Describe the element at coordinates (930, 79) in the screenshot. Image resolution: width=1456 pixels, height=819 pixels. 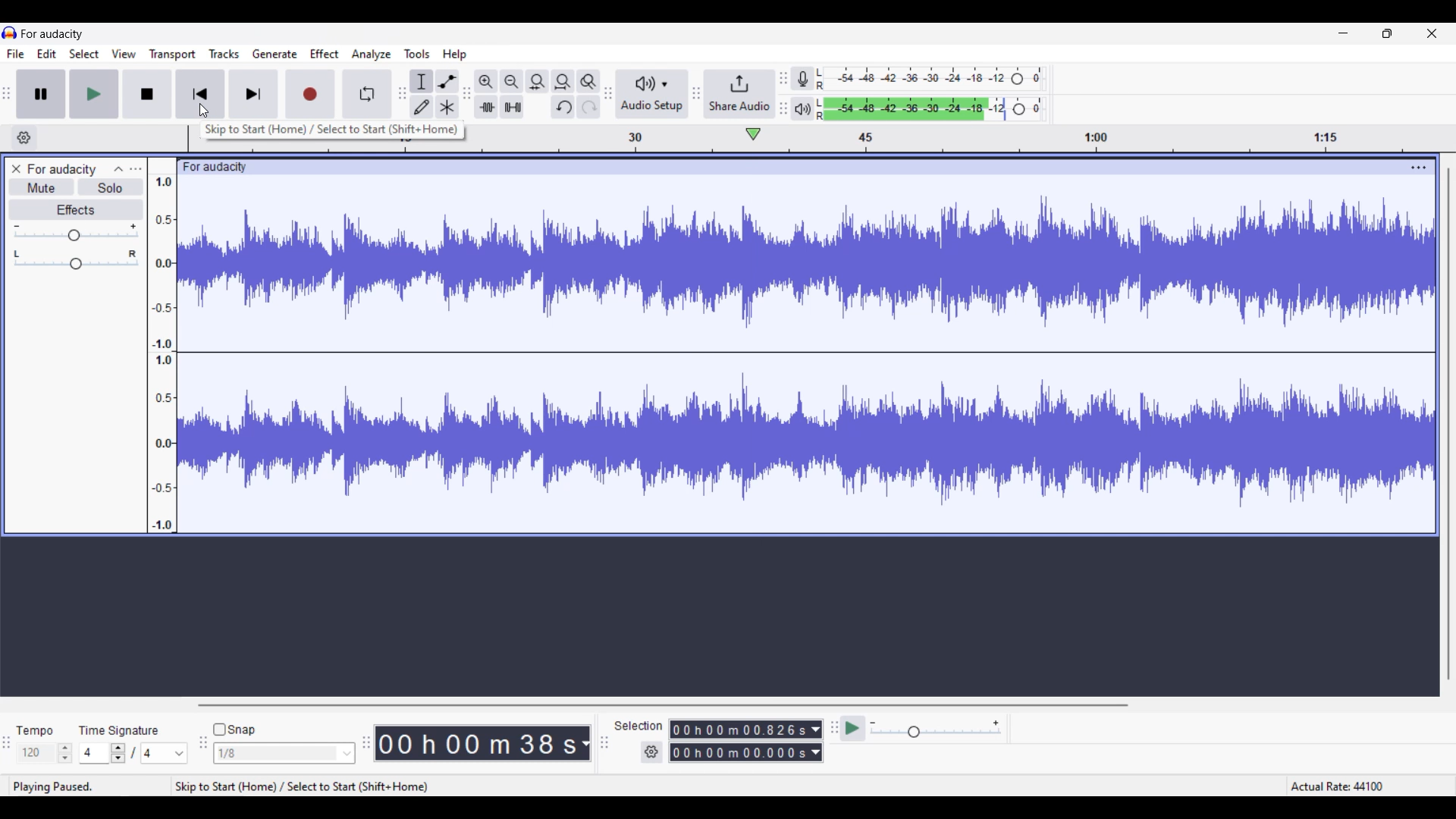
I see `Recording level` at that location.